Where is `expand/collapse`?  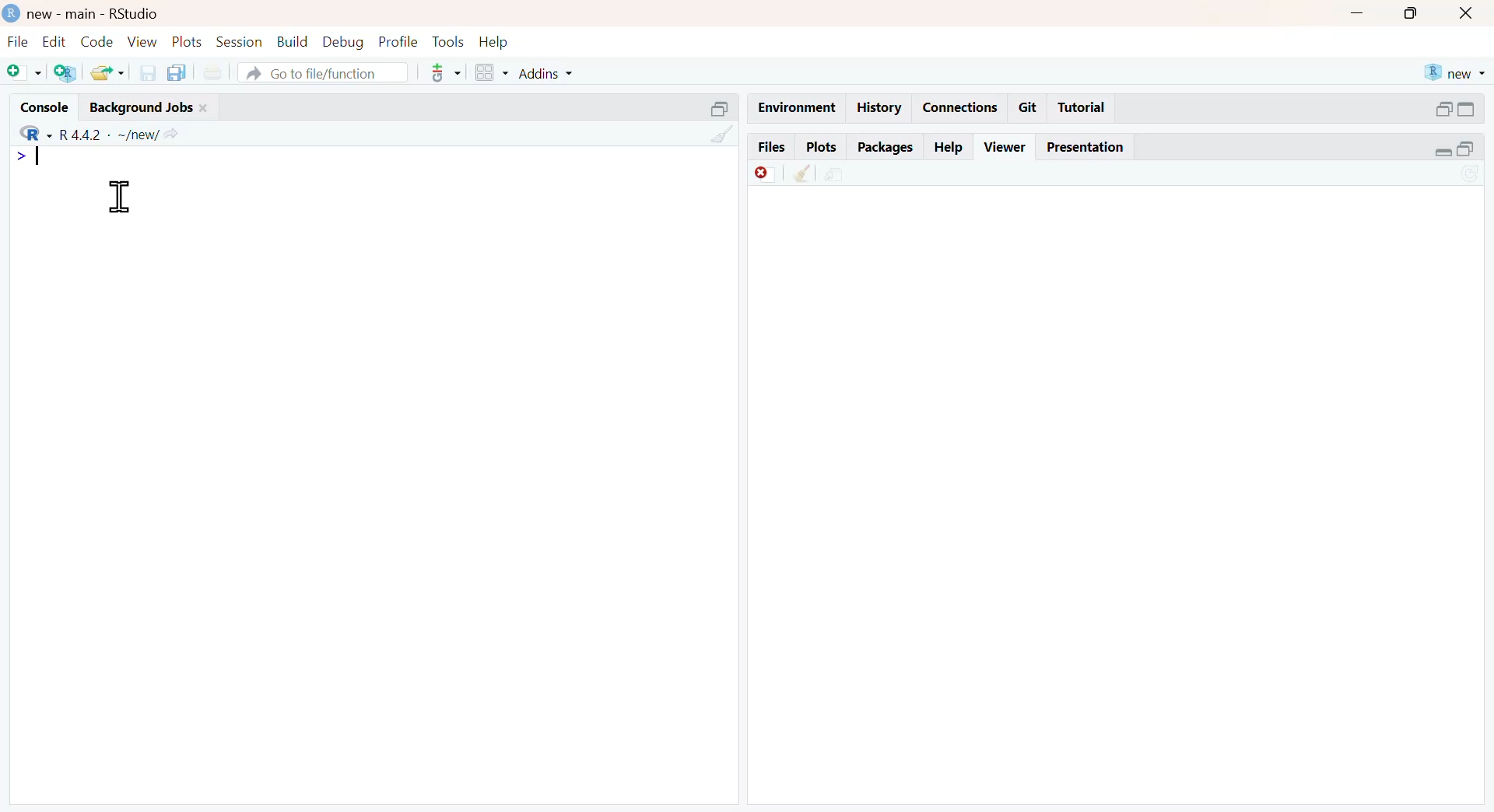 expand/collapse is located at coordinates (1468, 110).